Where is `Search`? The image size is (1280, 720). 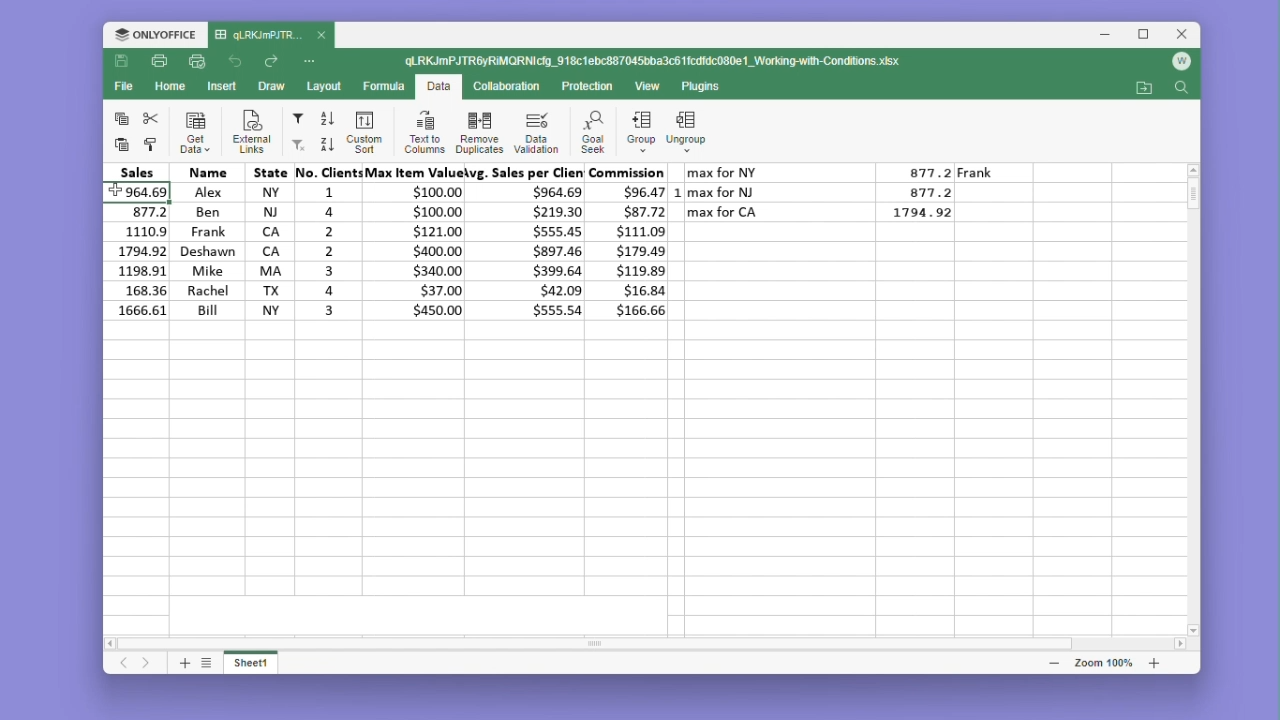 Search is located at coordinates (1181, 89).